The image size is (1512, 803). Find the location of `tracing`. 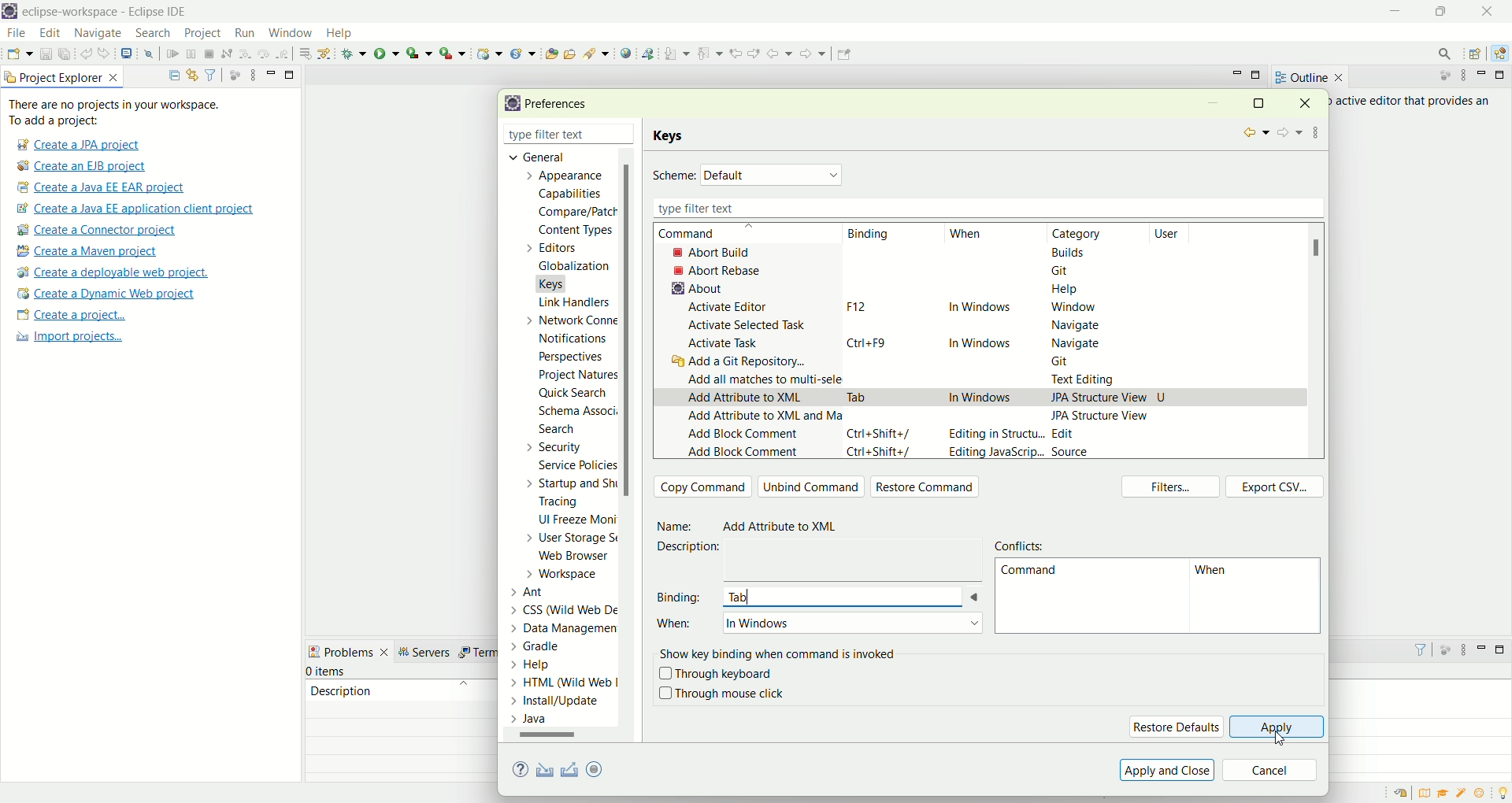

tracing is located at coordinates (569, 503).